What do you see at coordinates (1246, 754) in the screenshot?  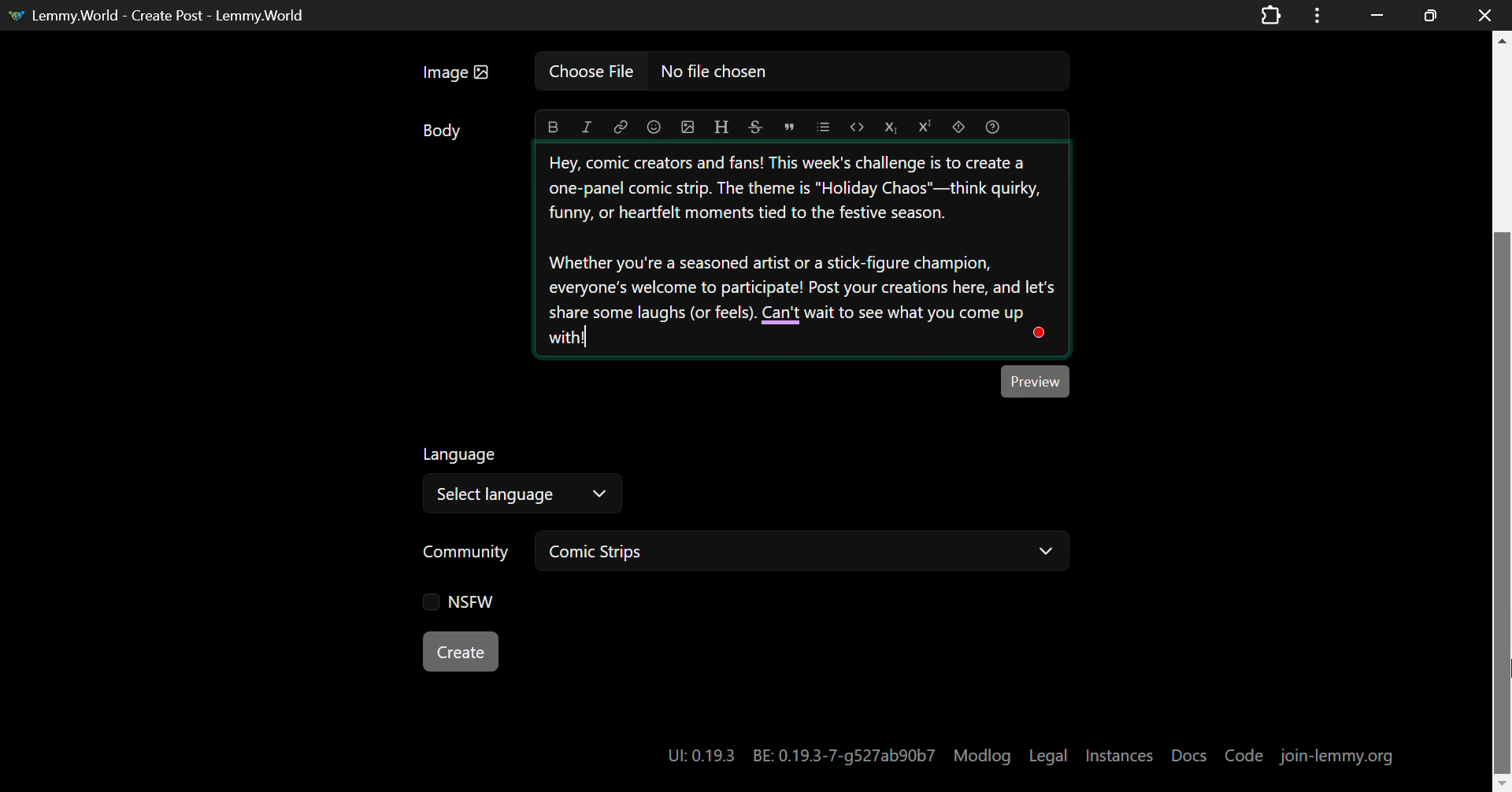 I see `Code` at bounding box center [1246, 754].